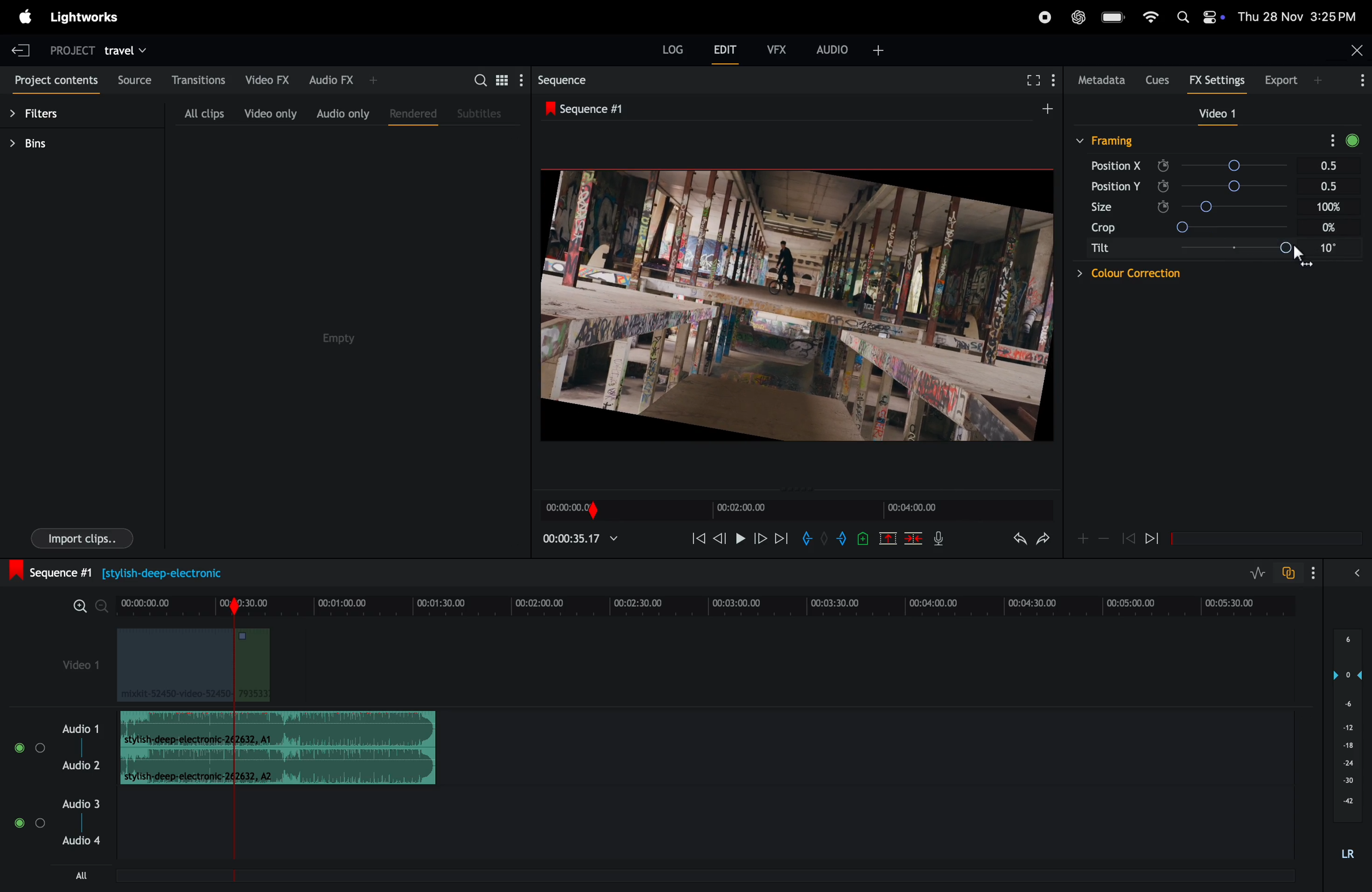 Image resolution: width=1372 pixels, height=892 pixels. What do you see at coordinates (1279, 81) in the screenshot?
I see `exports` at bounding box center [1279, 81].